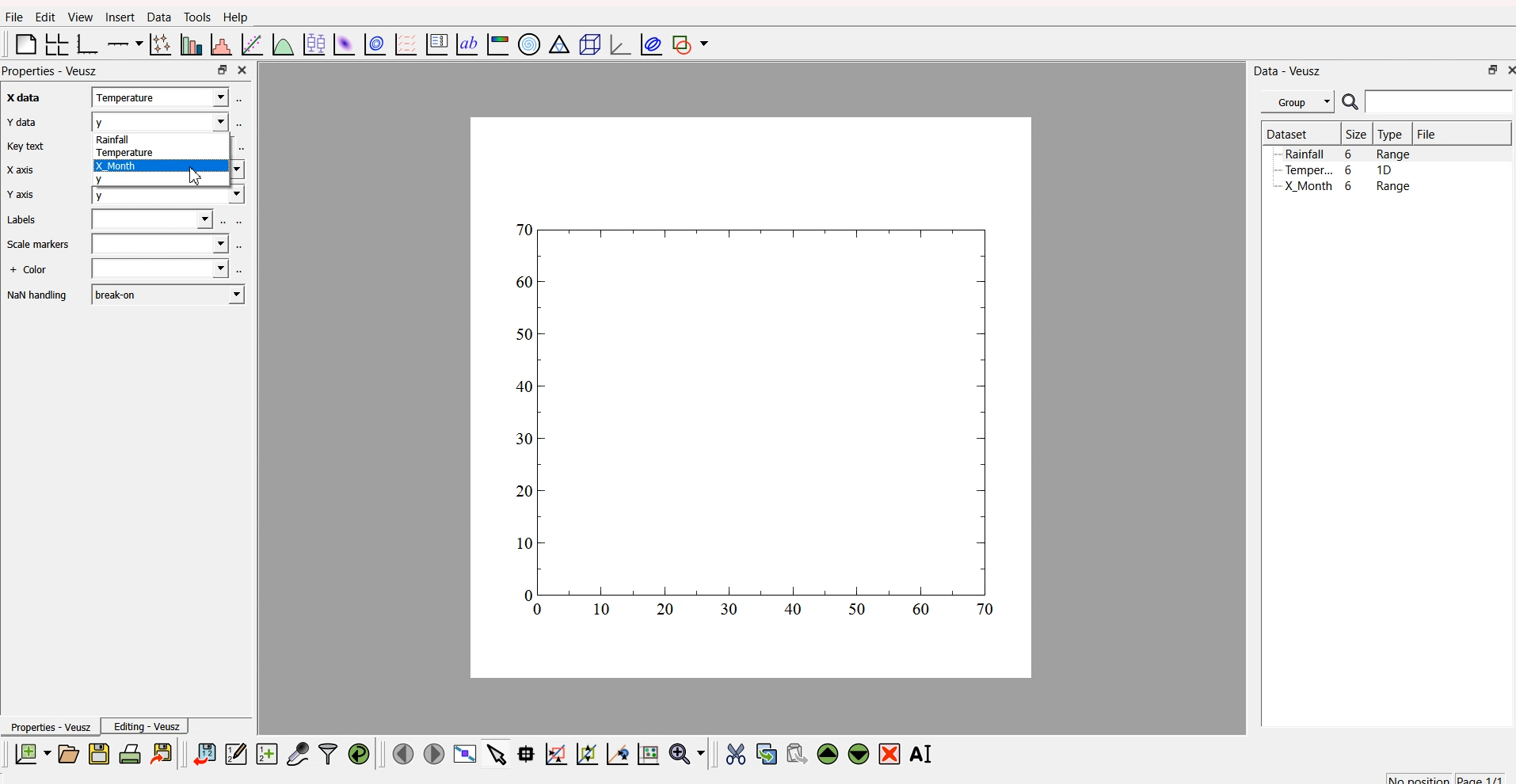  I want to click on y, so click(166, 196).